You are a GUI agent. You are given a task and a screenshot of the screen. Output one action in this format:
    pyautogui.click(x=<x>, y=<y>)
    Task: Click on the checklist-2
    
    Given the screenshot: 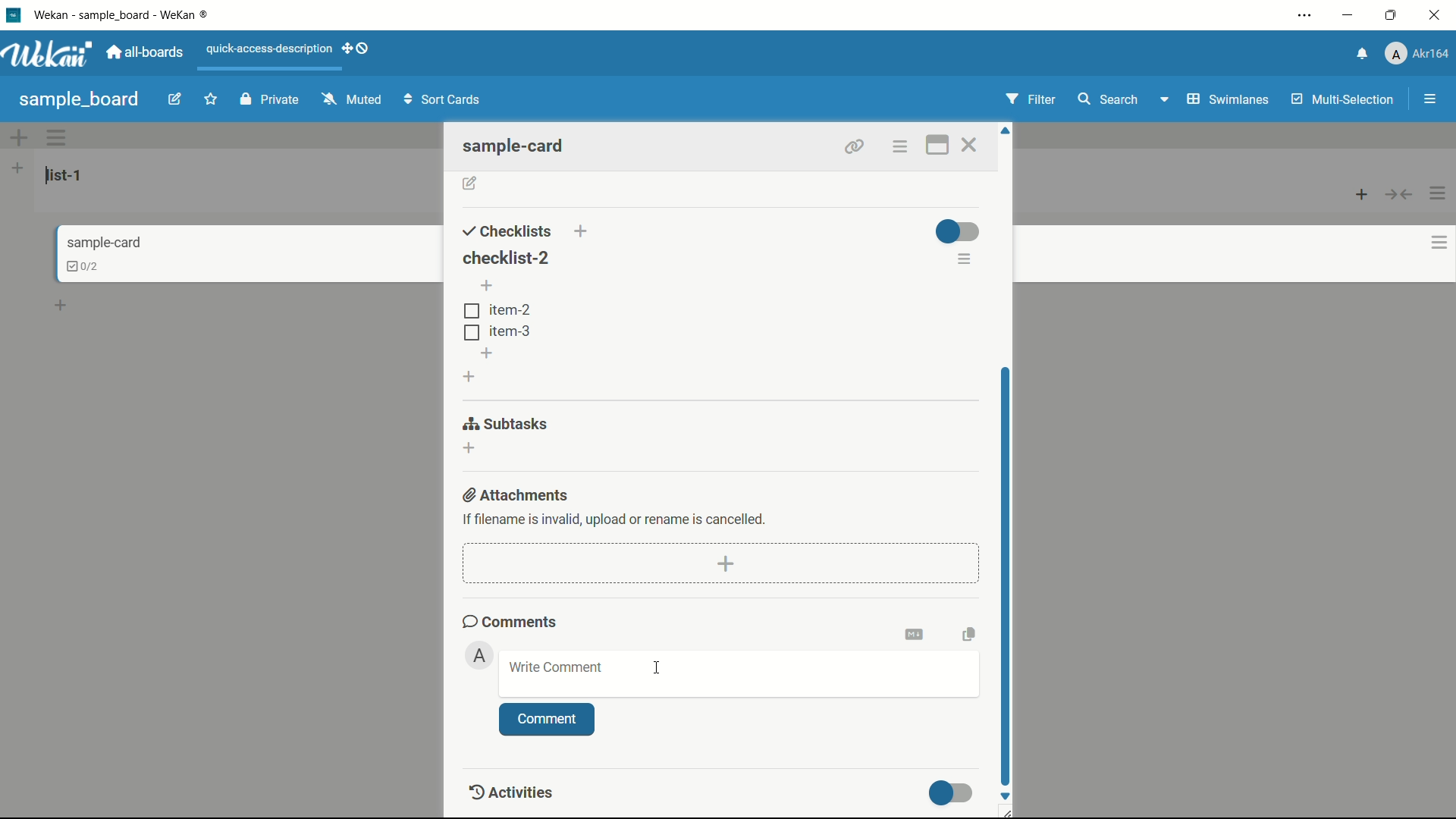 What is the action you would take?
    pyautogui.click(x=504, y=256)
    